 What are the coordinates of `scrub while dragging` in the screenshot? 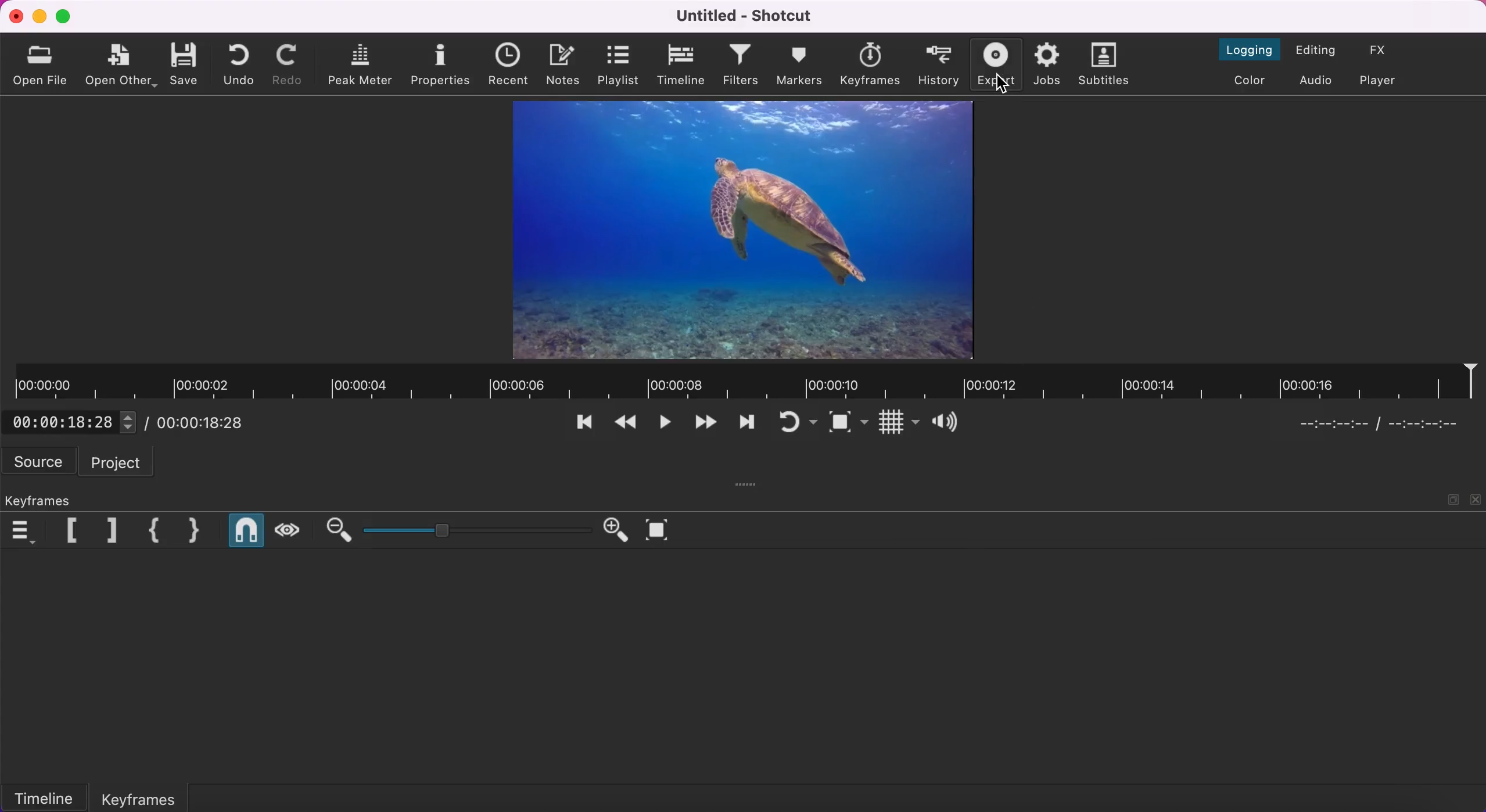 It's located at (288, 529).